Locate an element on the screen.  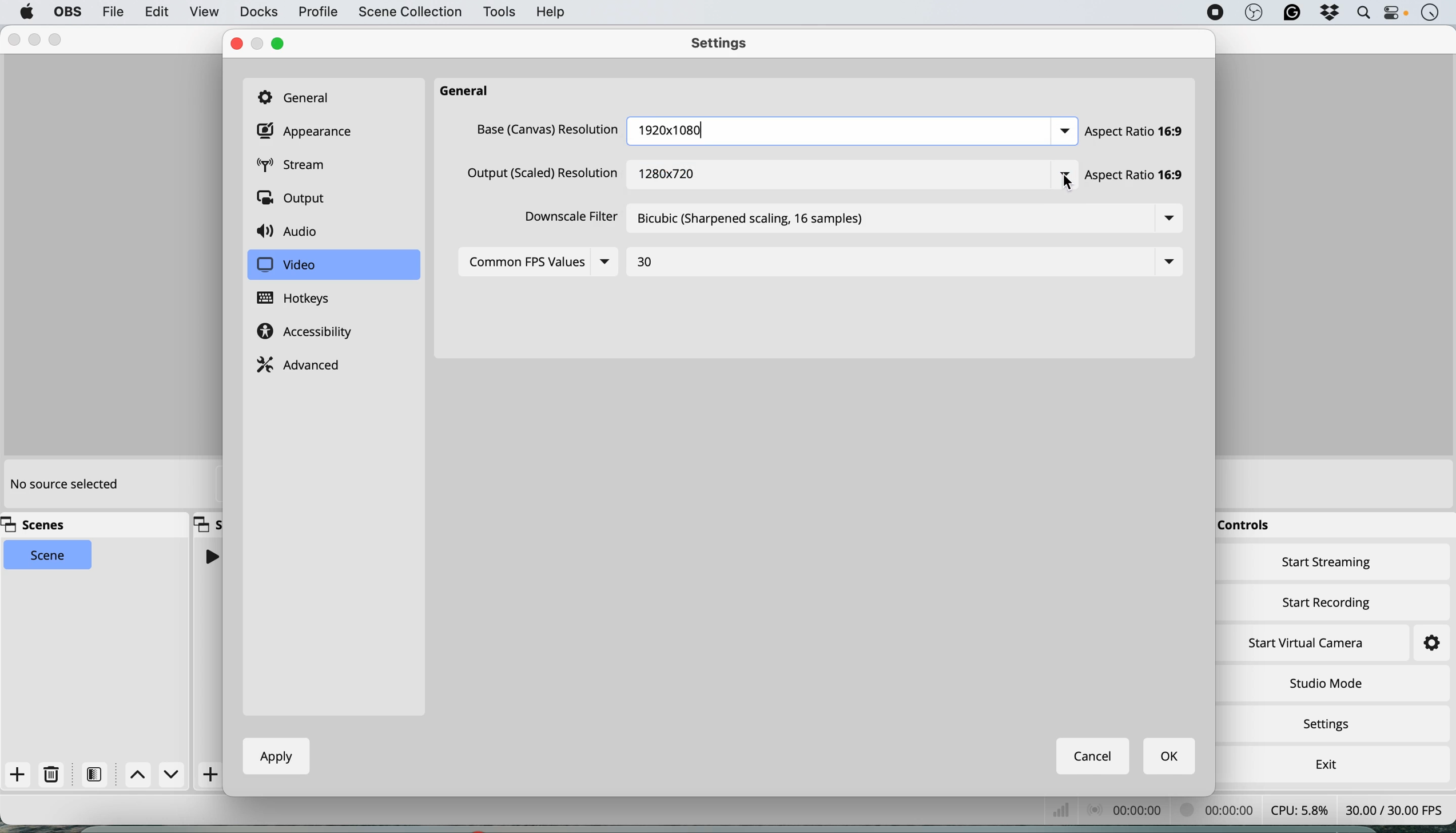
bicubic (sharpened scalling) is located at coordinates (760, 223).